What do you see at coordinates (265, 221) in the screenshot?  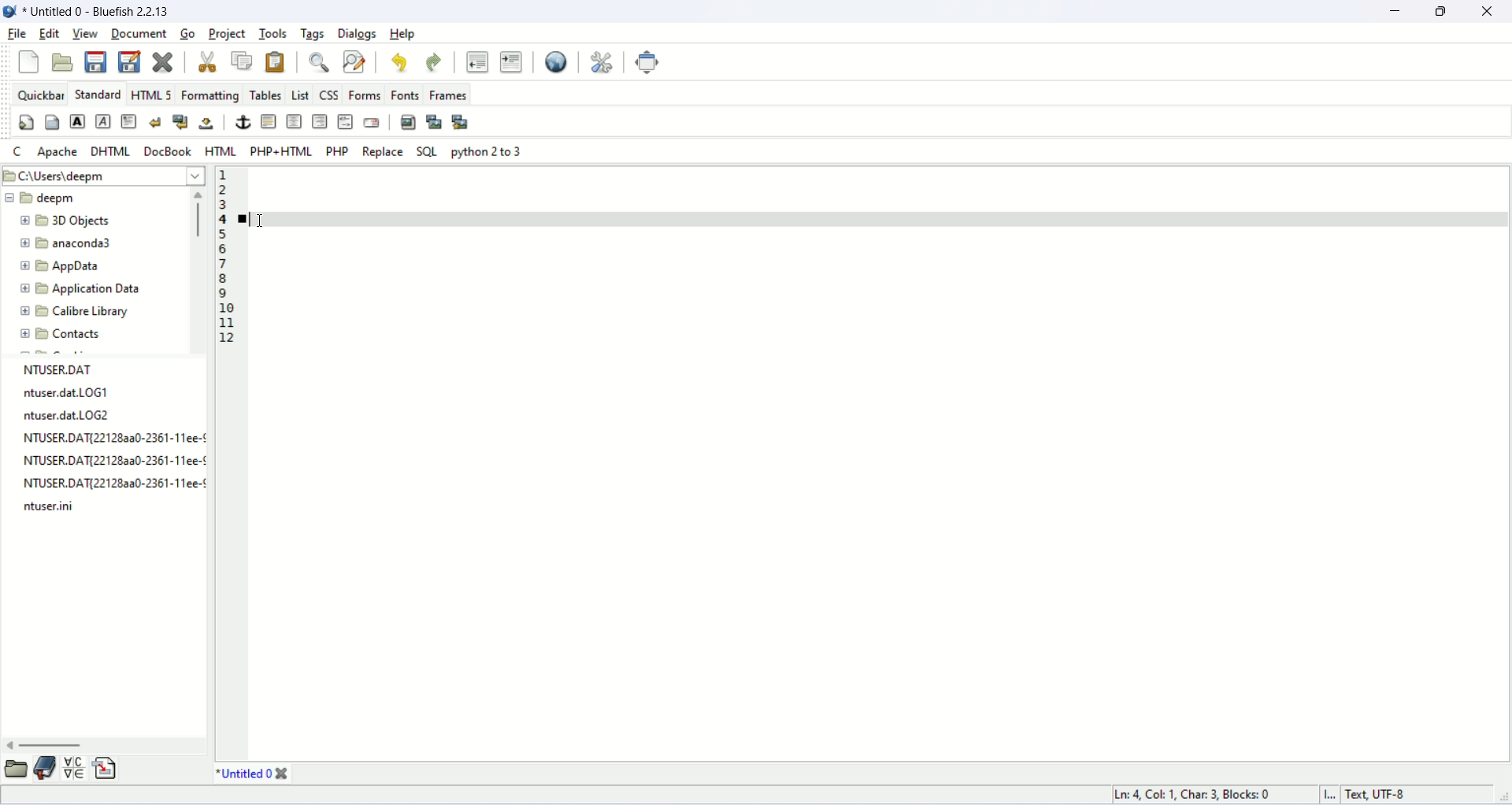 I see `cursor` at bounding box center [265, 221].